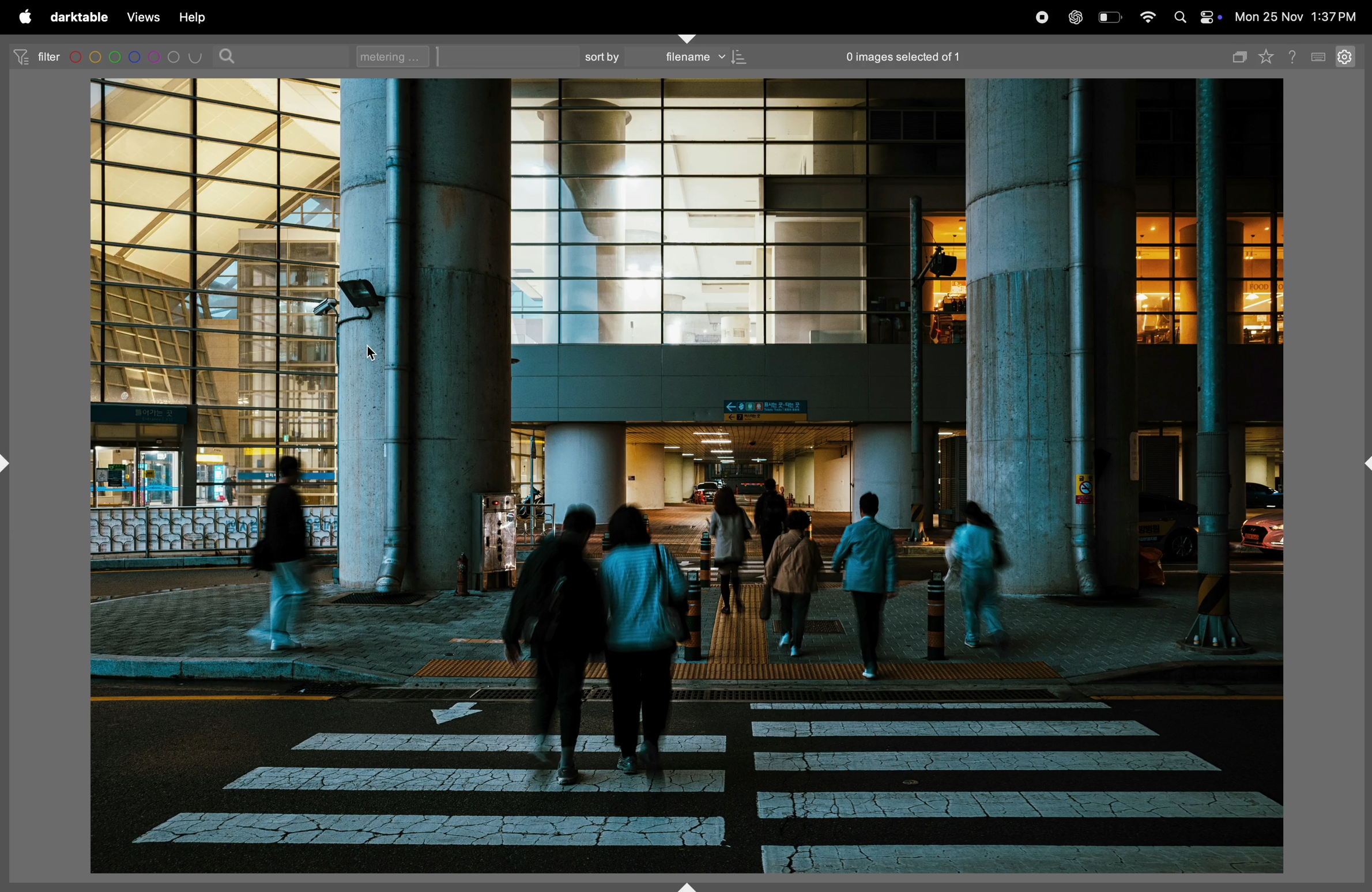 The width and height of the screenshot is (1372, 892). I want to click on shift+ctrl+l, so click(9, 462).